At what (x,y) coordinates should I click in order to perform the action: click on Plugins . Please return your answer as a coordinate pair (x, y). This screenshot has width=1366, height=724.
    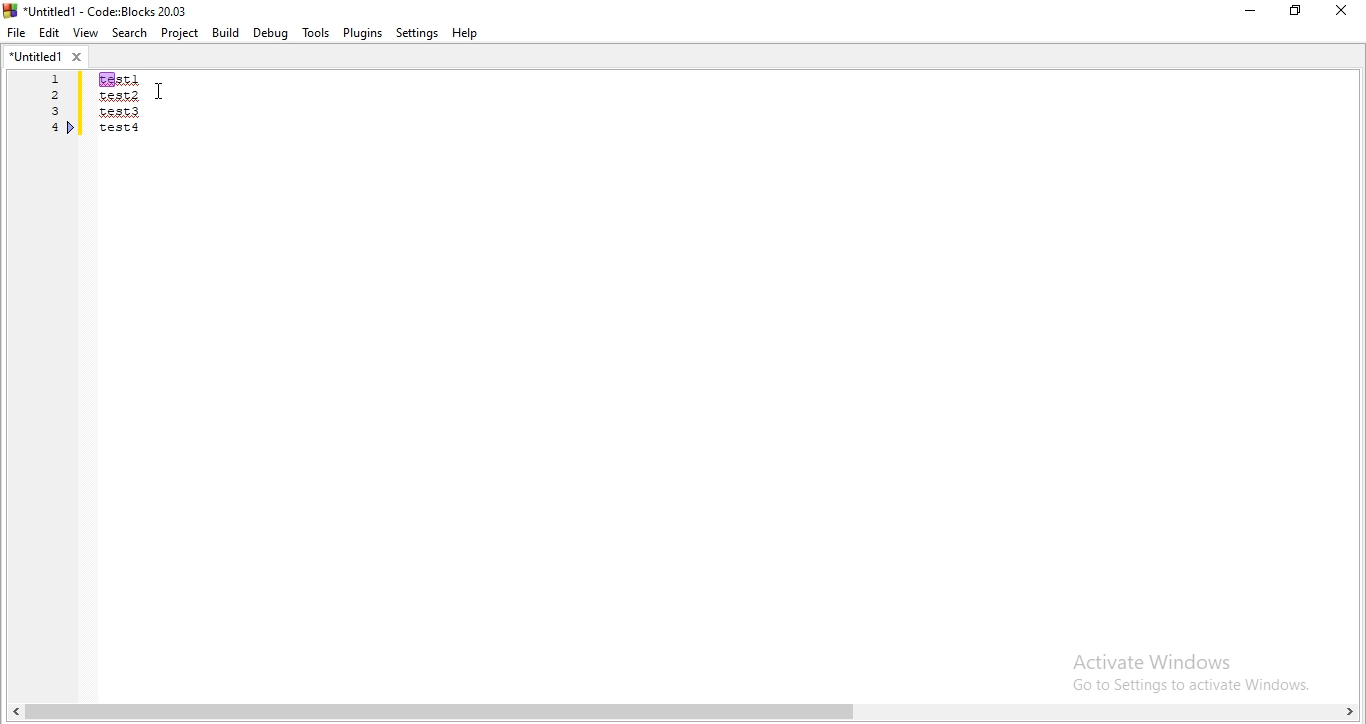
    Looking at the image, I should click on (362, 32).